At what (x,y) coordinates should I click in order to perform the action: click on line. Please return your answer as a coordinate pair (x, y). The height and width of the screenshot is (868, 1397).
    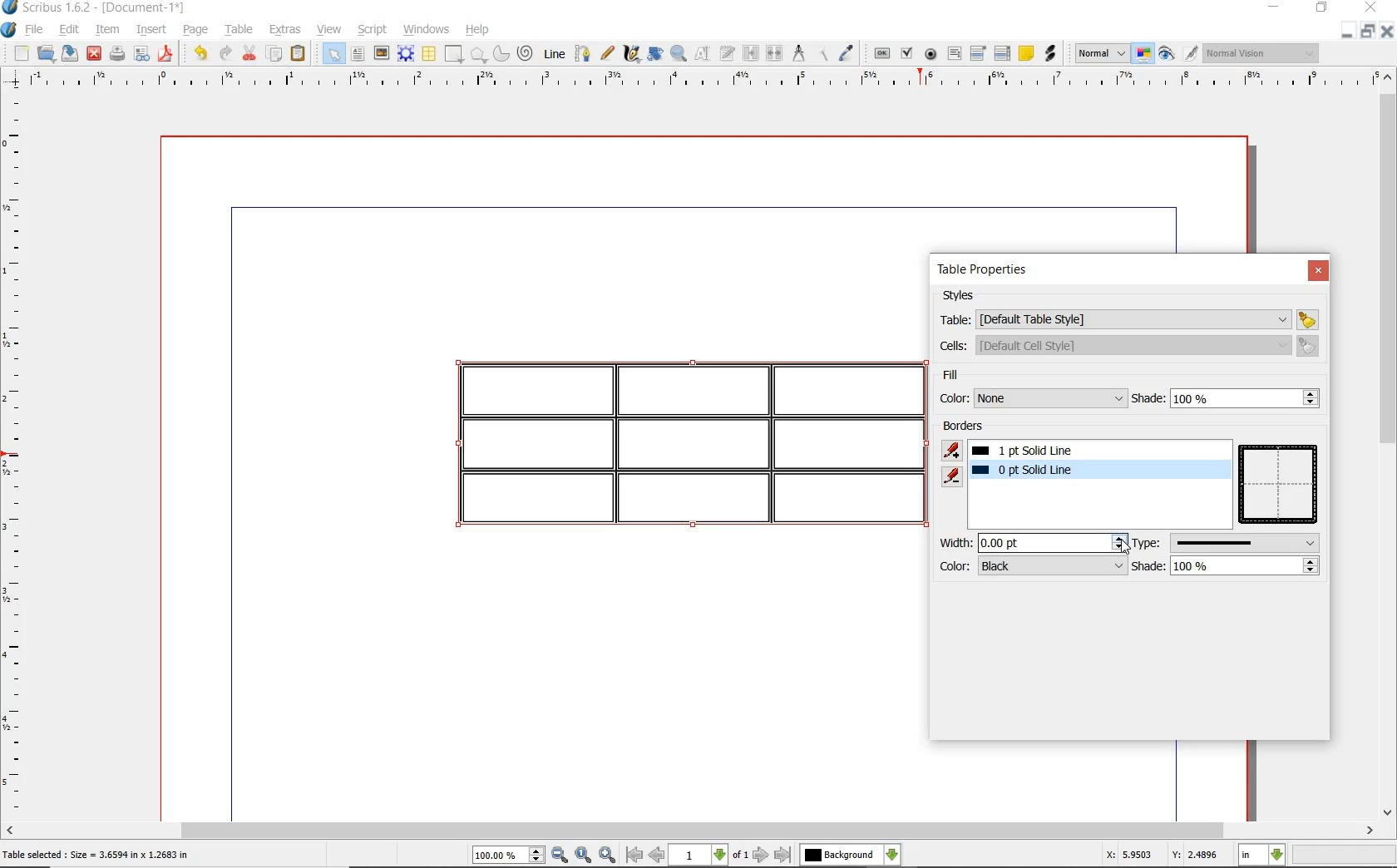
    Looking at the image, I should click on (554, 53).